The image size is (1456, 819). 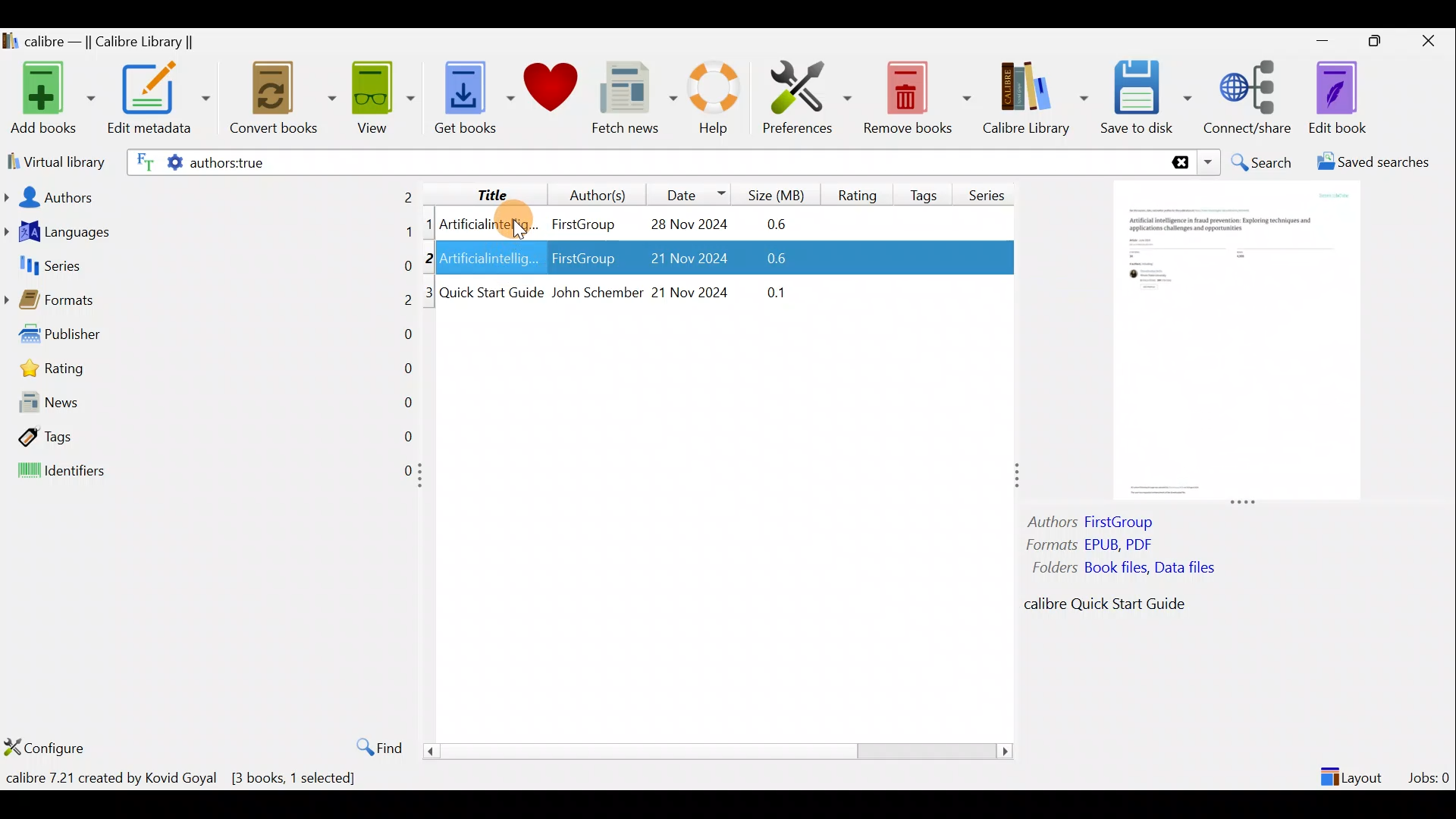 What do you see at coordinates (1090, 547) in the screenshot?
I see `Formats: EPUB, PDF` at bounding box center [1090, 547].